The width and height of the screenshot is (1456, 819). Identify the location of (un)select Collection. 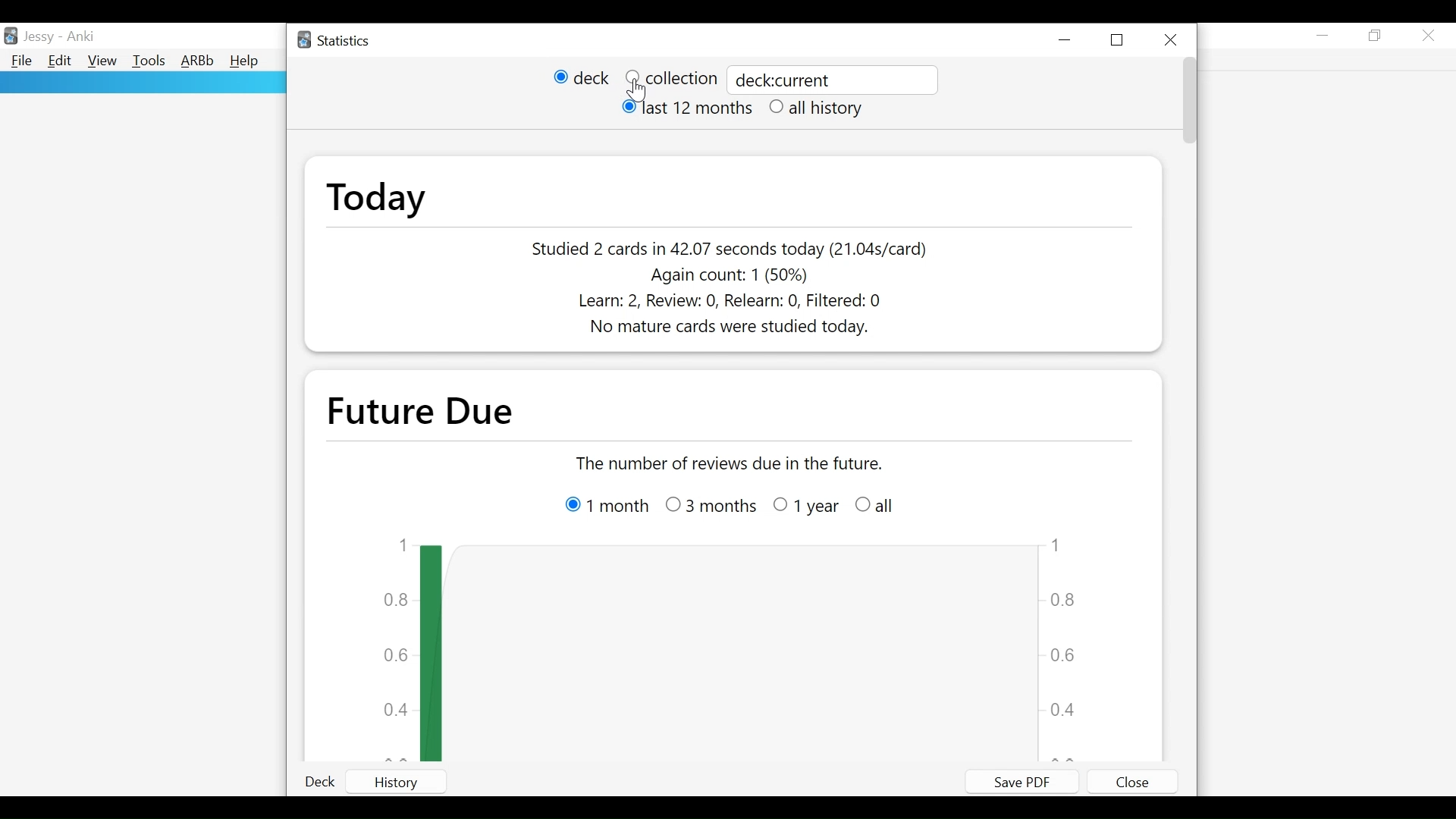
(670, 78).